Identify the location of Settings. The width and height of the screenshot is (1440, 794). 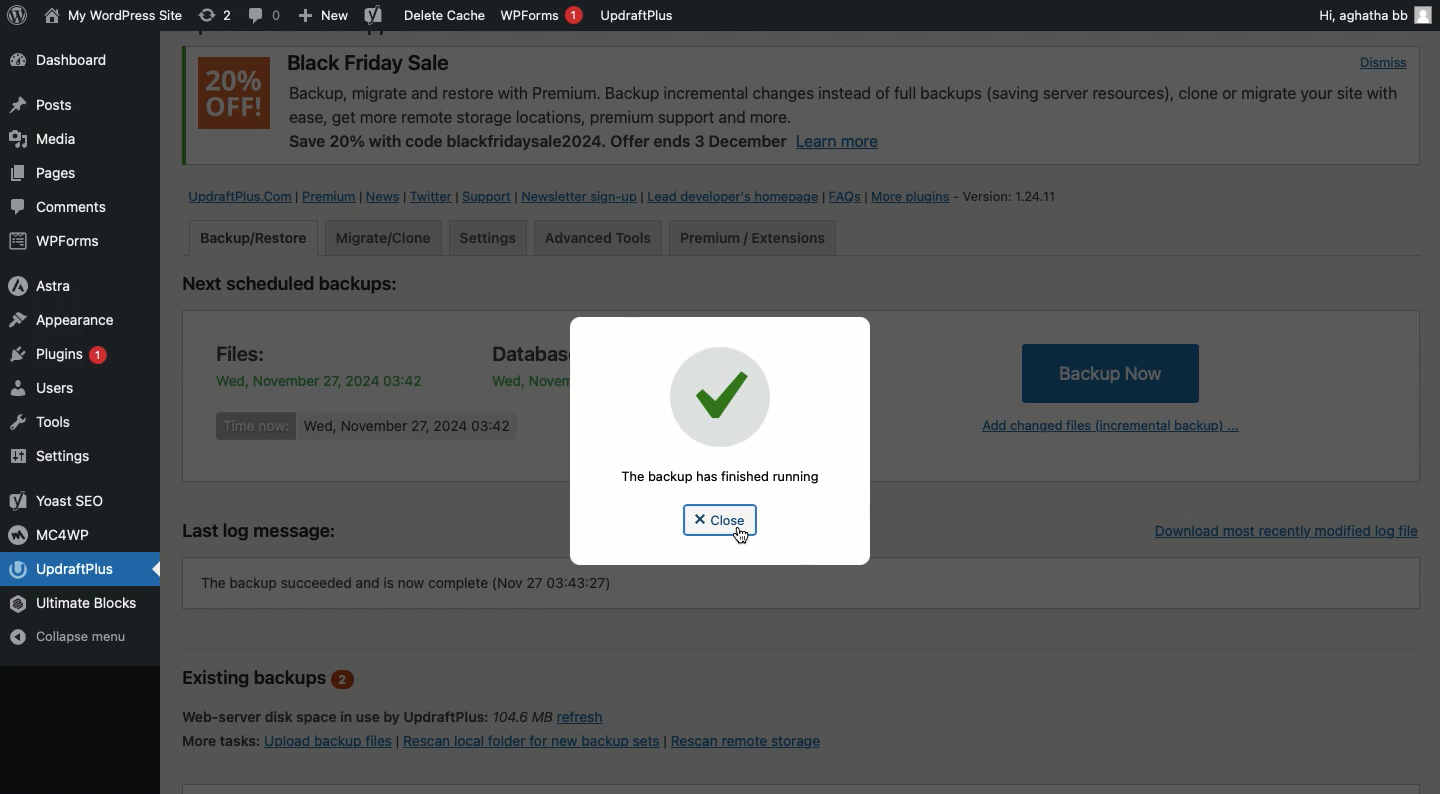
(57, 457).